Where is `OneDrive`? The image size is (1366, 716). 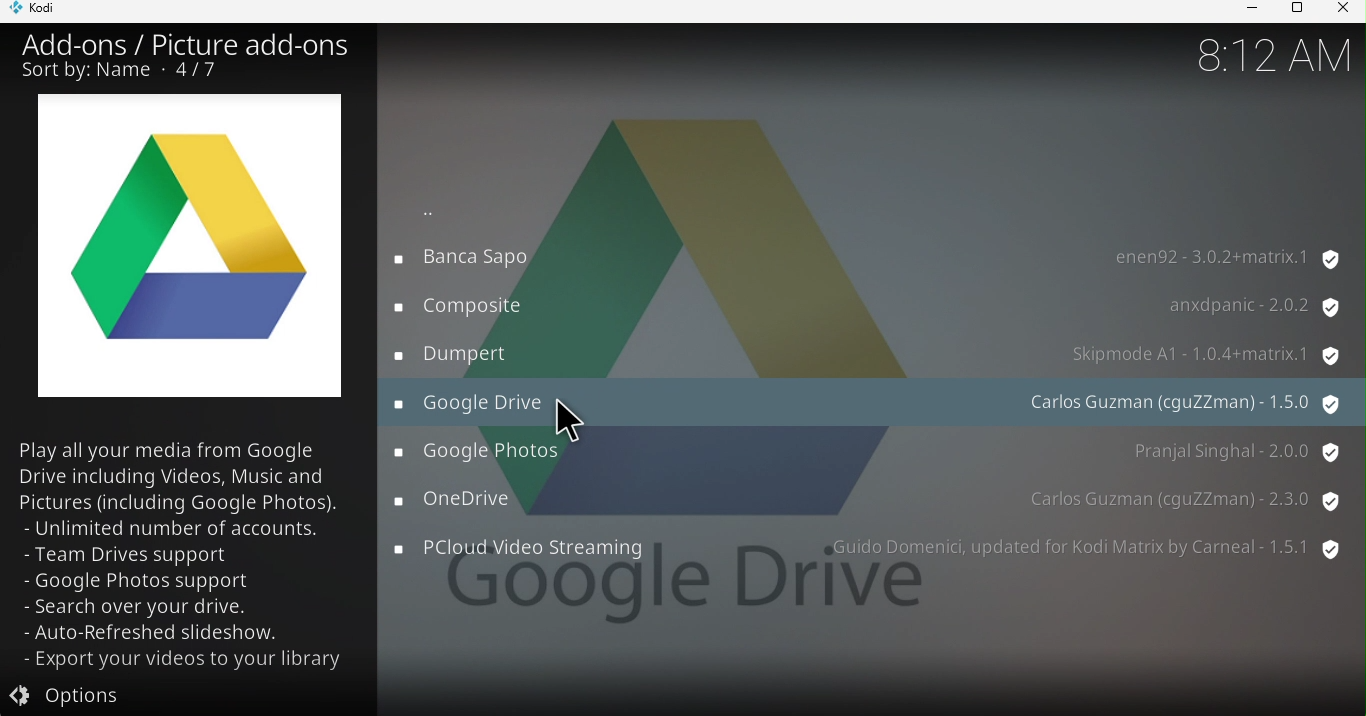
OneDrive is located at coordinates (868, 500).